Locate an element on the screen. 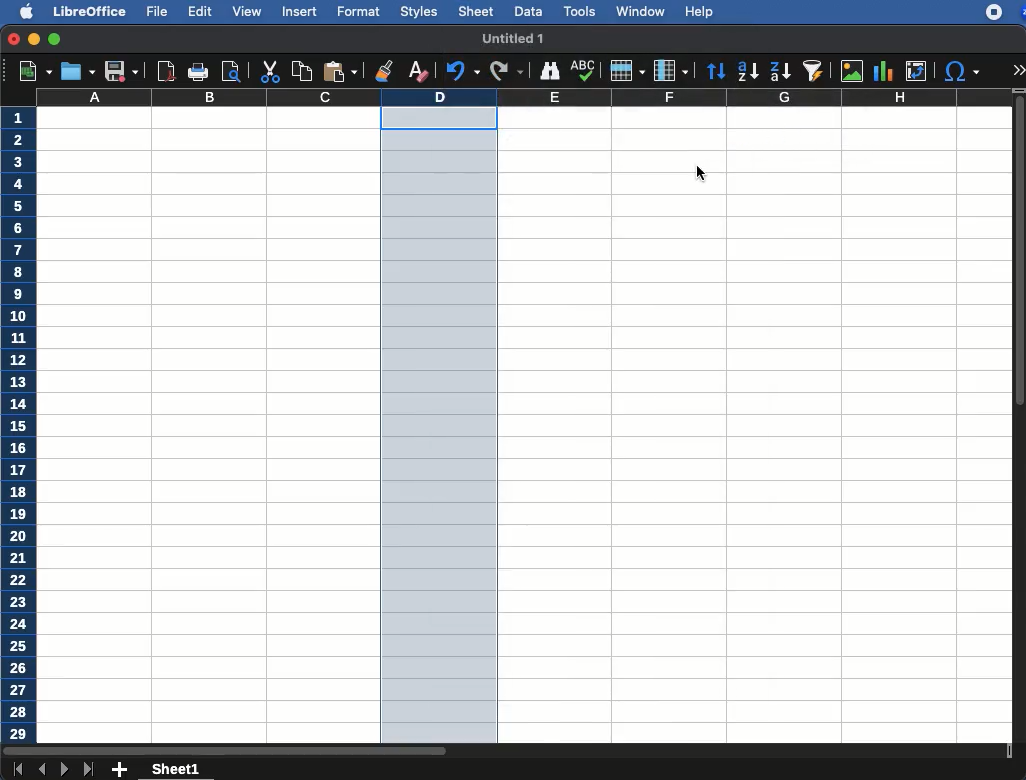 Image resolution: width=1026 pixels, height=780 pixels. redo is located at coordinates (507, 71).